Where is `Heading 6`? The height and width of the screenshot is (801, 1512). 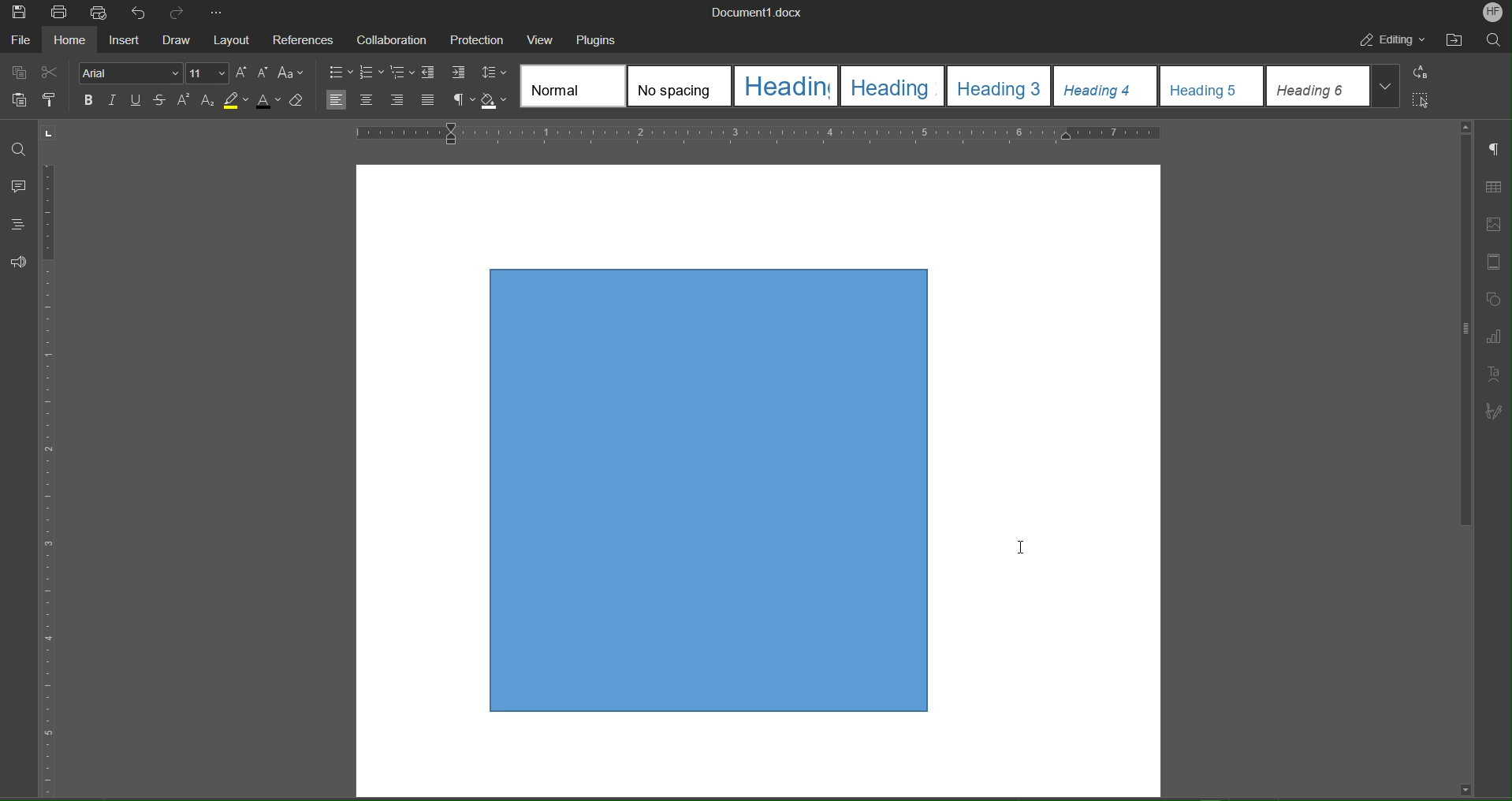
Heading 6 is located at coordinates (1318, 87).